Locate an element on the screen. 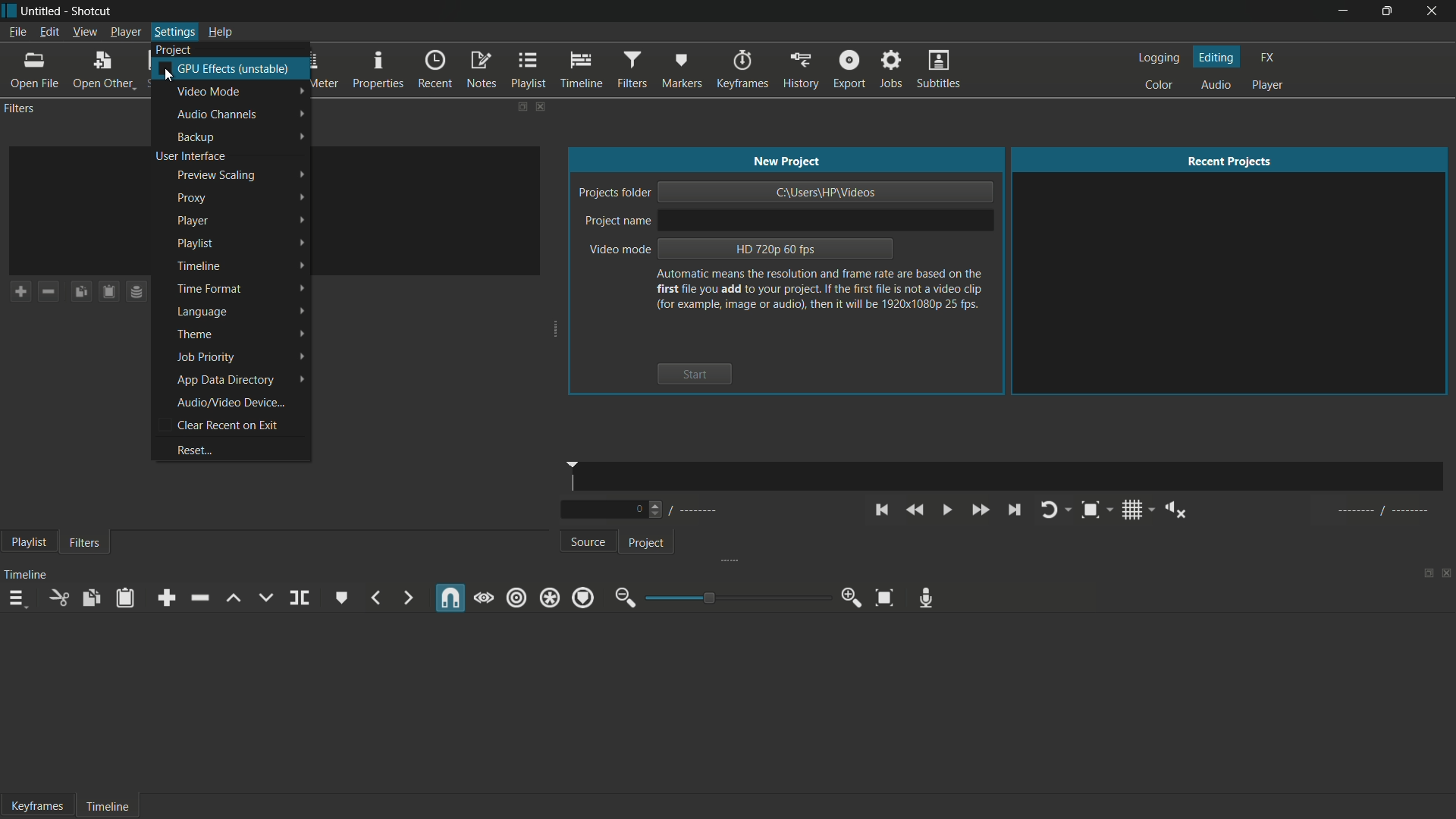 The image size is (1456, 819). al is located at coordinates (1379, 510).